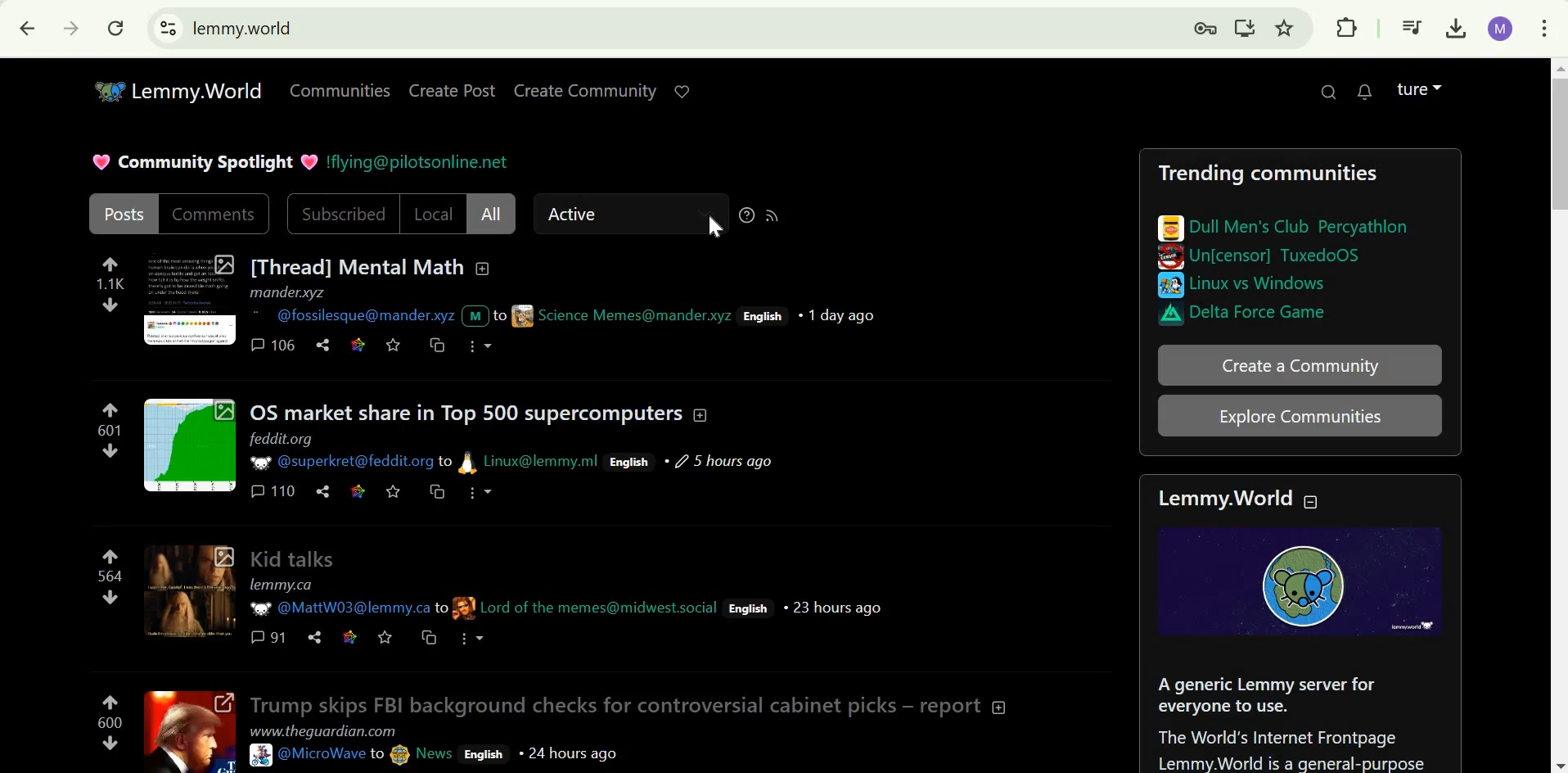 This screenshot has height=773, width=1568. Describe the element at coordinates (342, 91) in the screenshot. I see `communities` at that location.